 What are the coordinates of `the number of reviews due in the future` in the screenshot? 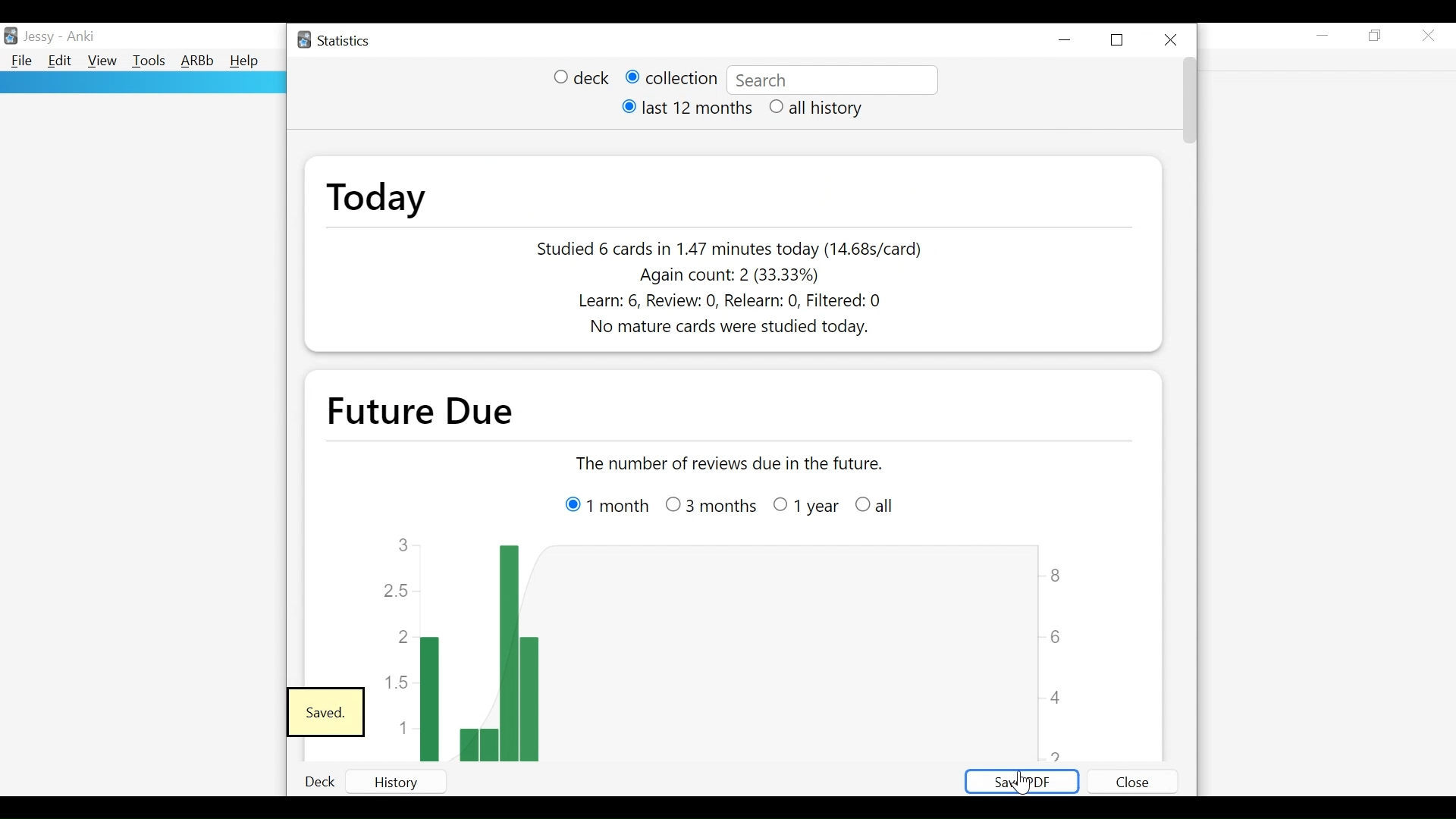 It's located at (733, 463).